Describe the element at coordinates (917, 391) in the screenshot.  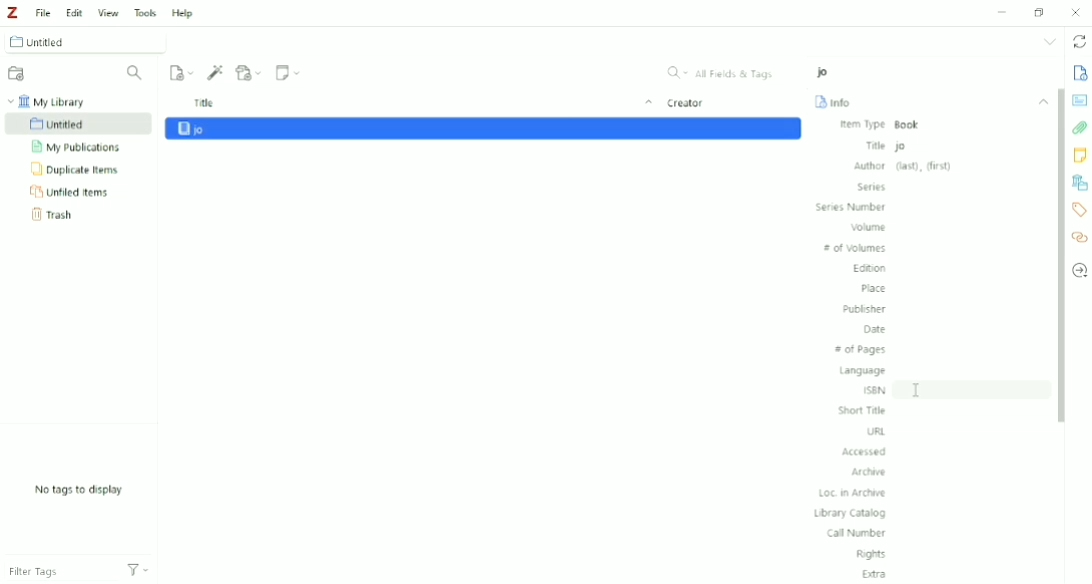
I see `Cursor` at that location.